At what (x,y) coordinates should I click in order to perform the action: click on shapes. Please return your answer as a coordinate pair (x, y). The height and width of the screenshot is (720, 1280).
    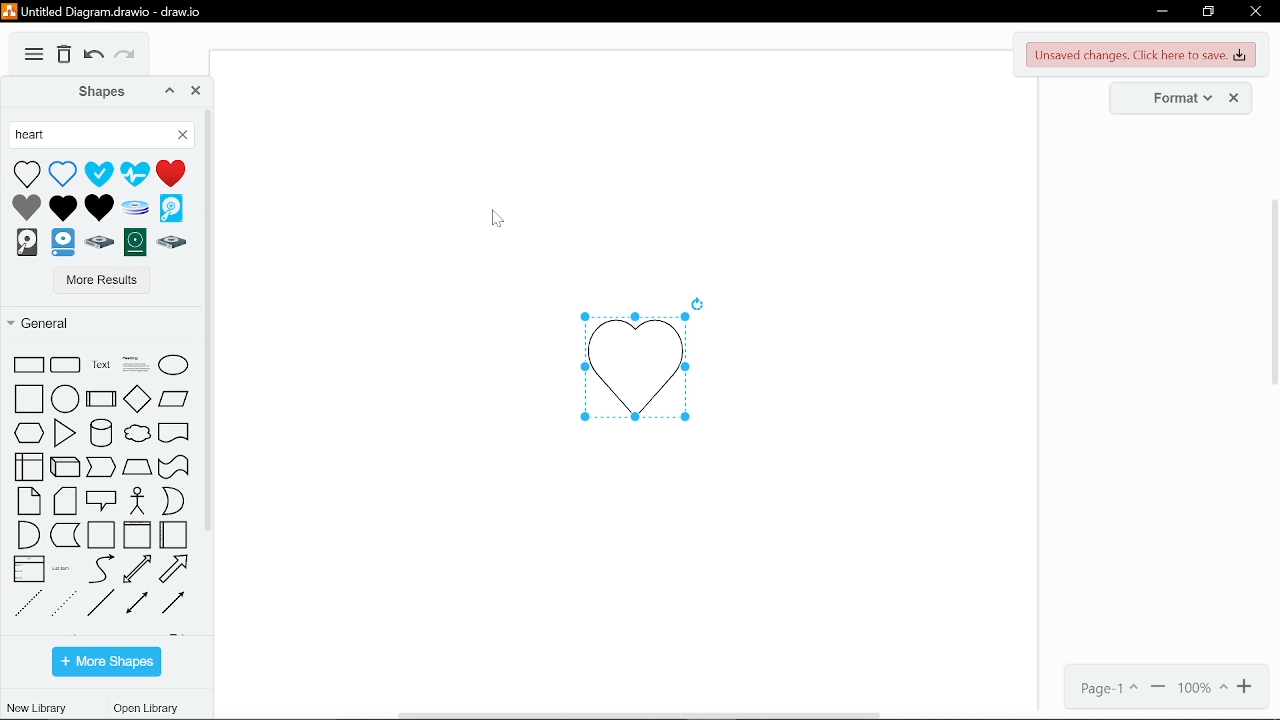
    Looking at the image, I should click on (91, 91).